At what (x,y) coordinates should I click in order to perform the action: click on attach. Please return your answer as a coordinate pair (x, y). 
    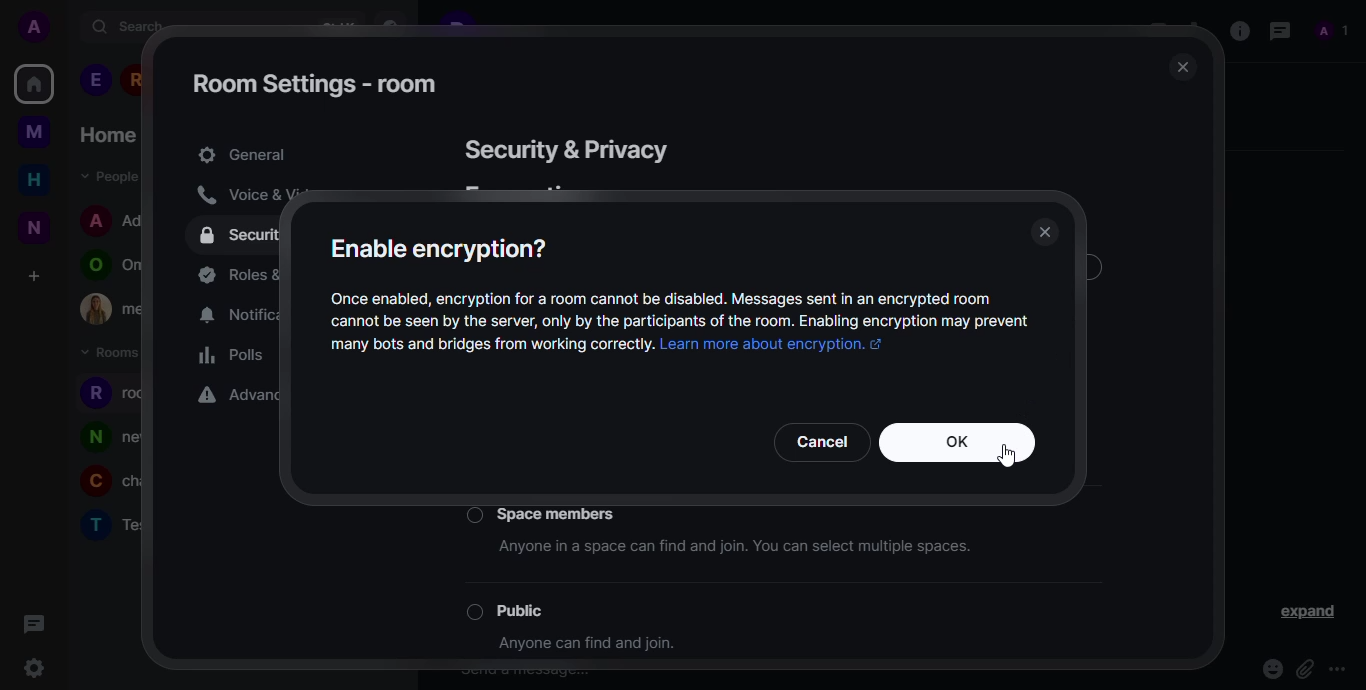
    Looking at the image, I should click on (1303, 665).